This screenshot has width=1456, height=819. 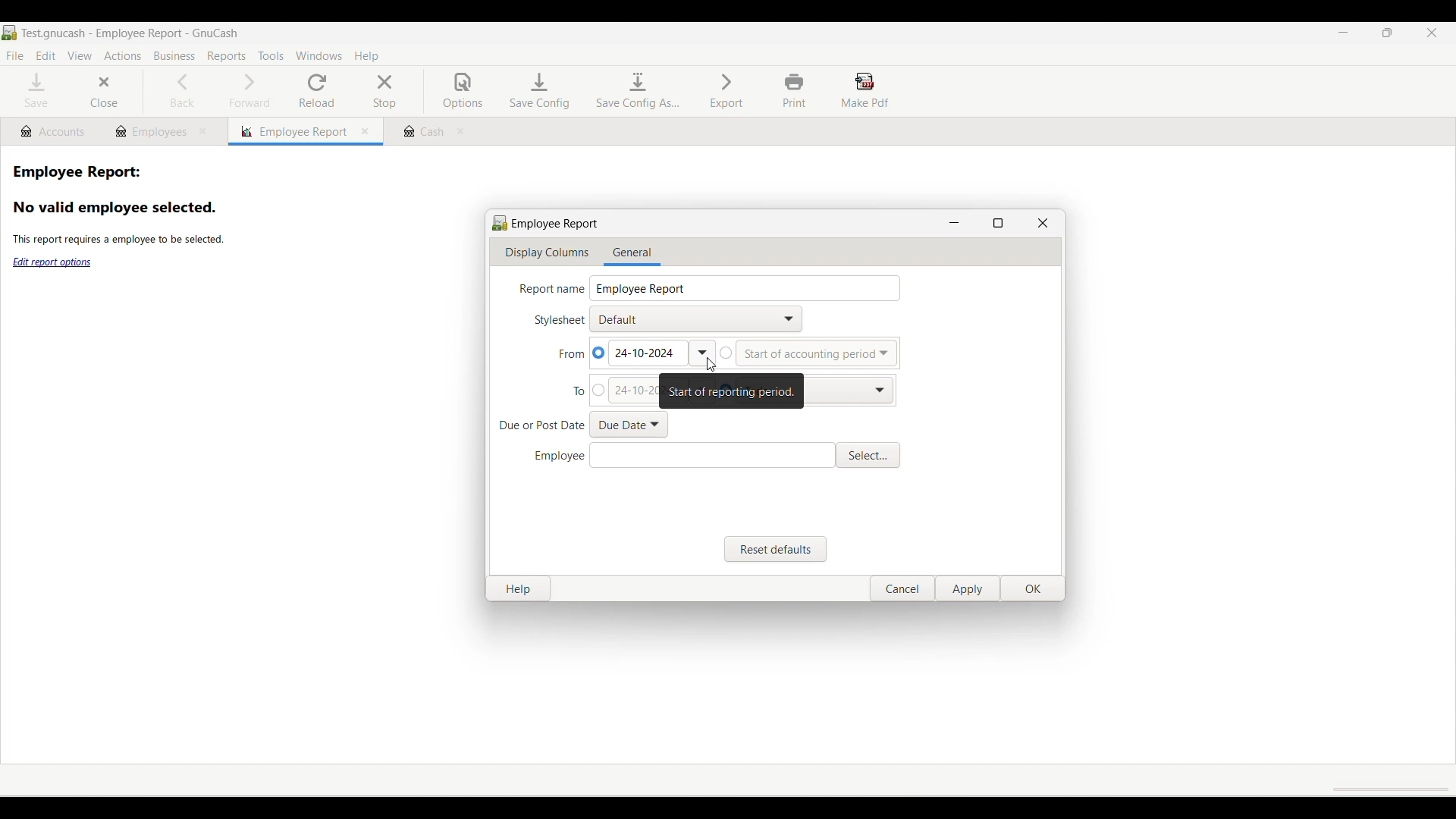 I want to click on Cursor clicking on calendar dropdown to select start date of report, so click(x=711, y=365).